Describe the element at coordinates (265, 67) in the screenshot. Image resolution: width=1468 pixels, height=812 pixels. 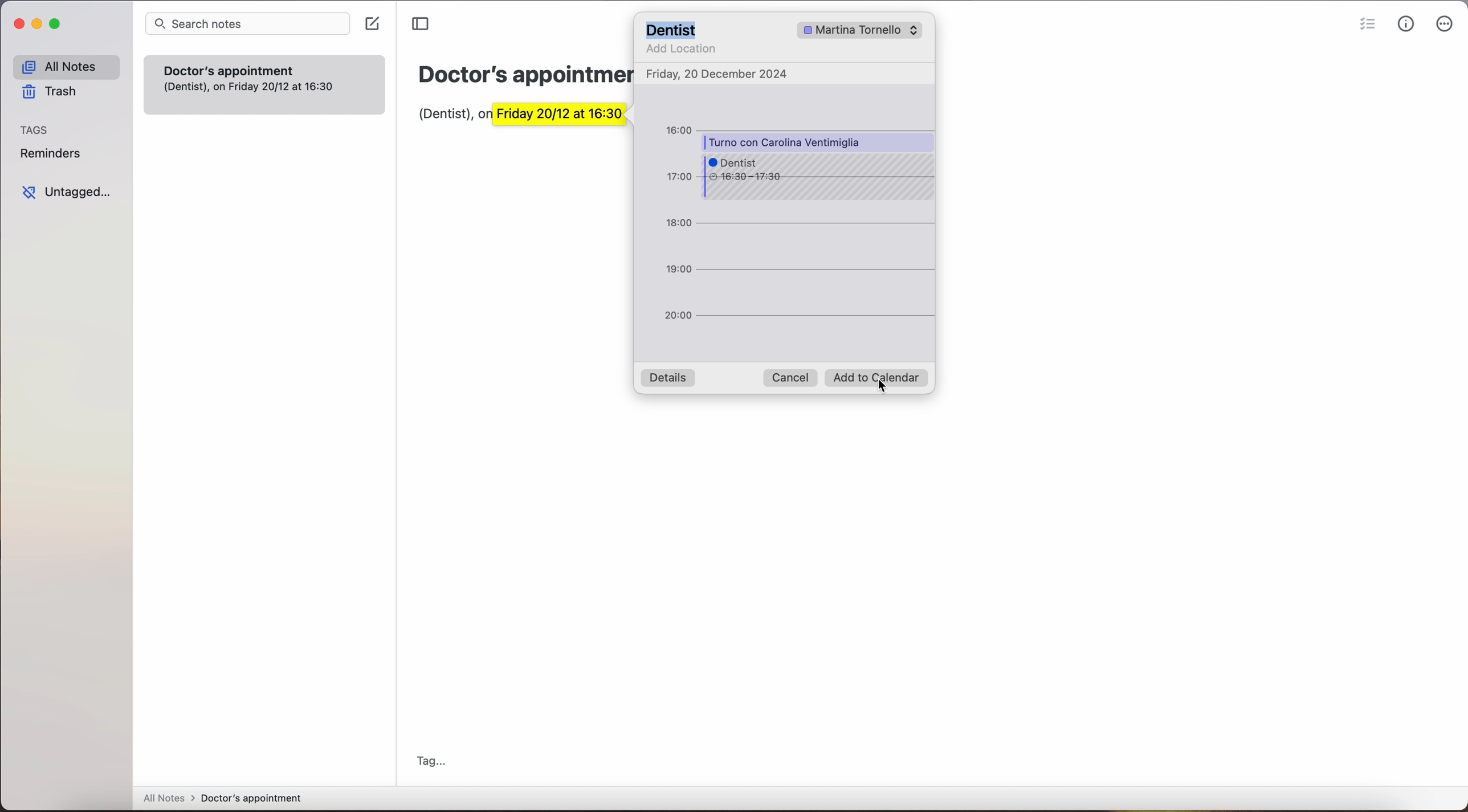
I see `Doctor's appointment` at that location.